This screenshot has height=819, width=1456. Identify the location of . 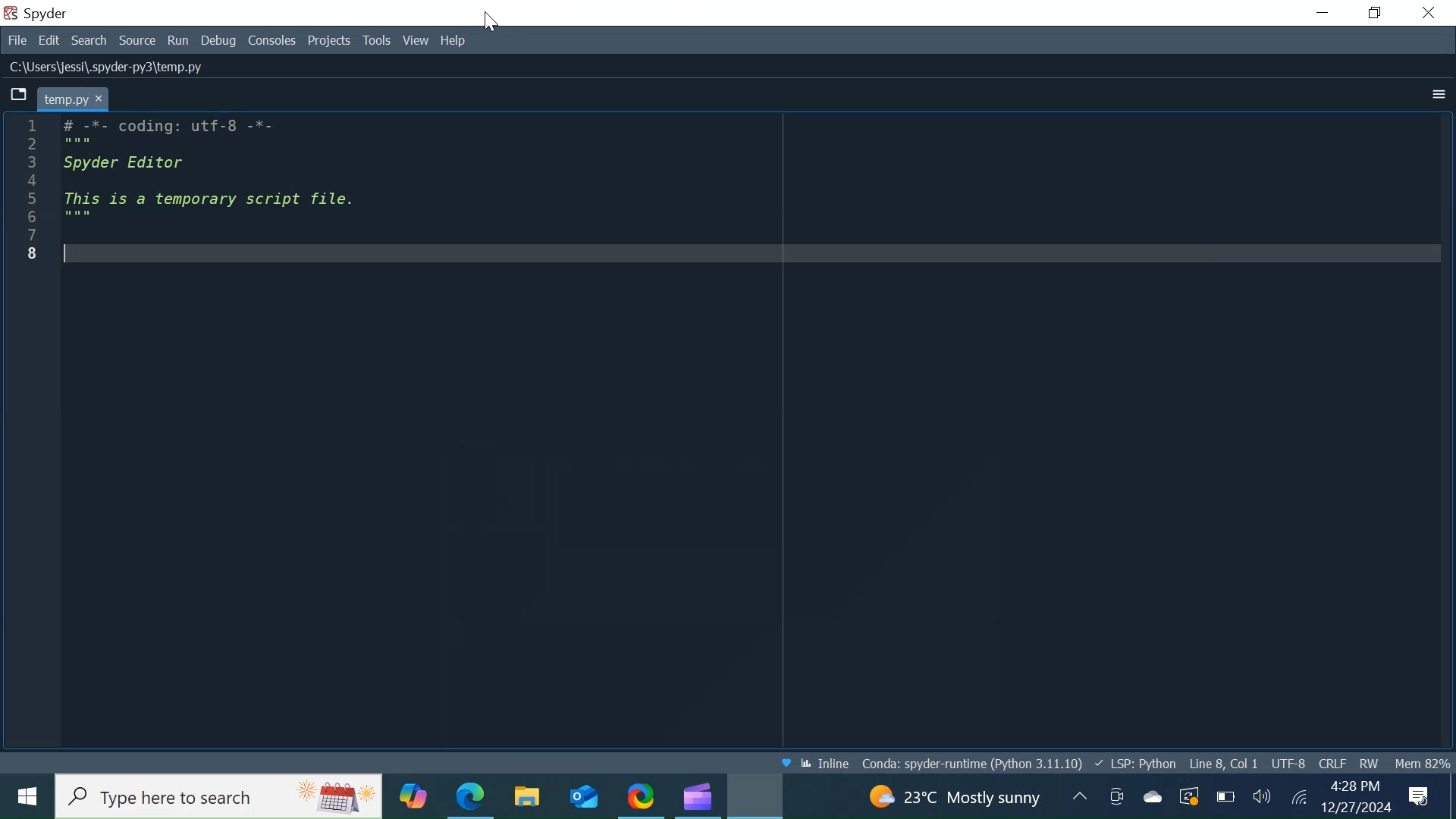
(29, 433).